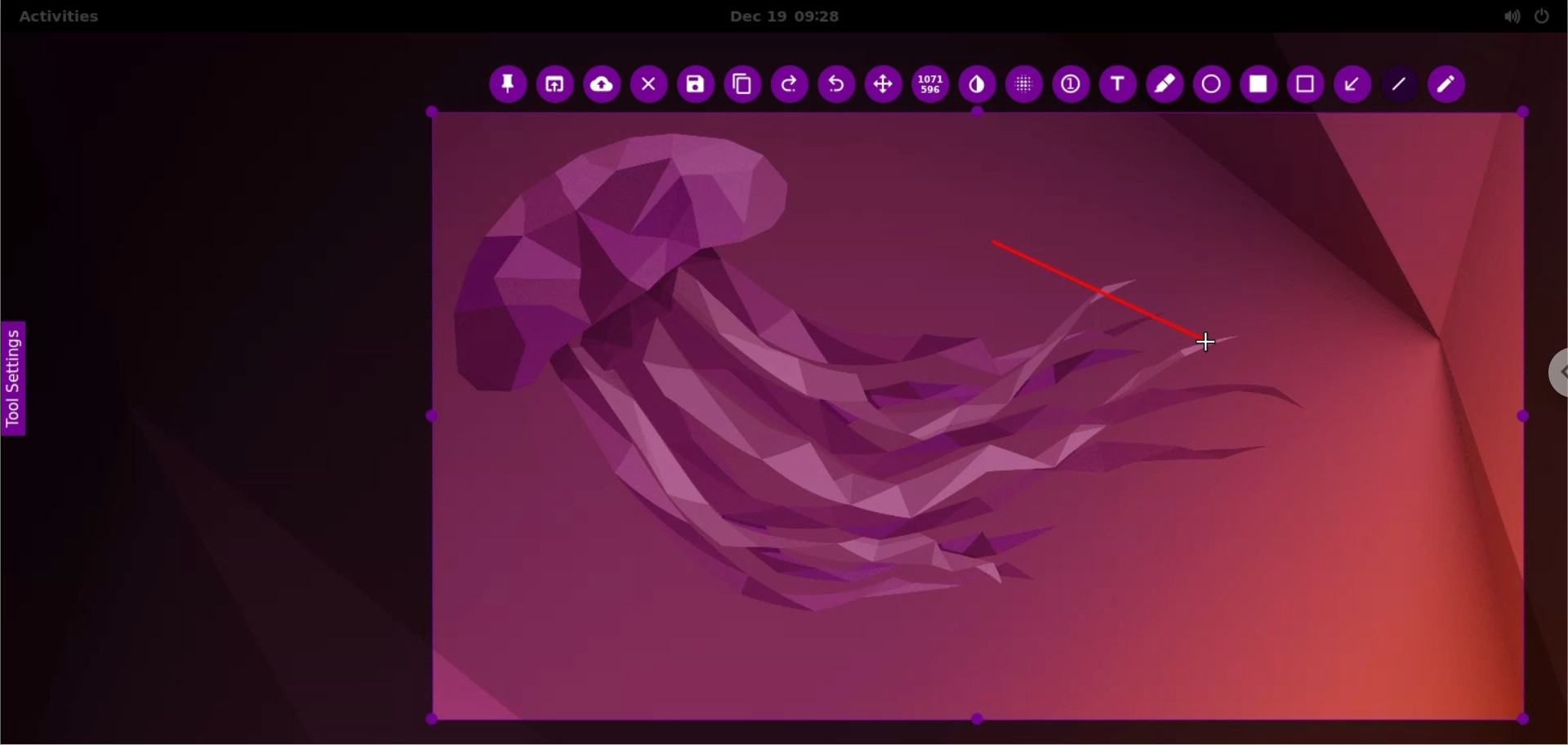 The width and height of the screenshot is (1568, 745). Describe the element at coordinates (697, 86) in the screenshot. I see `save` at that location.